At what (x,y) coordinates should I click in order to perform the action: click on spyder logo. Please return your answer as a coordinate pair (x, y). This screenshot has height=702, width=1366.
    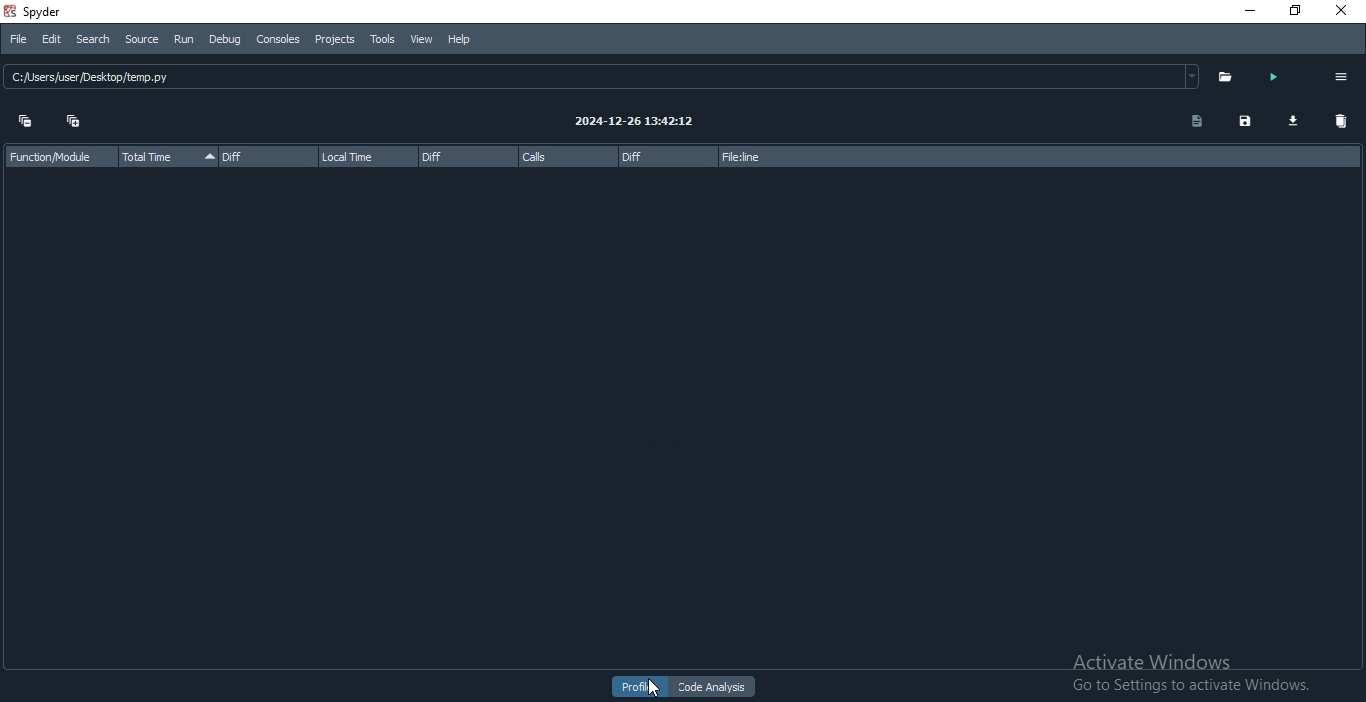
    Looking at the image, I should click on (10, 12).